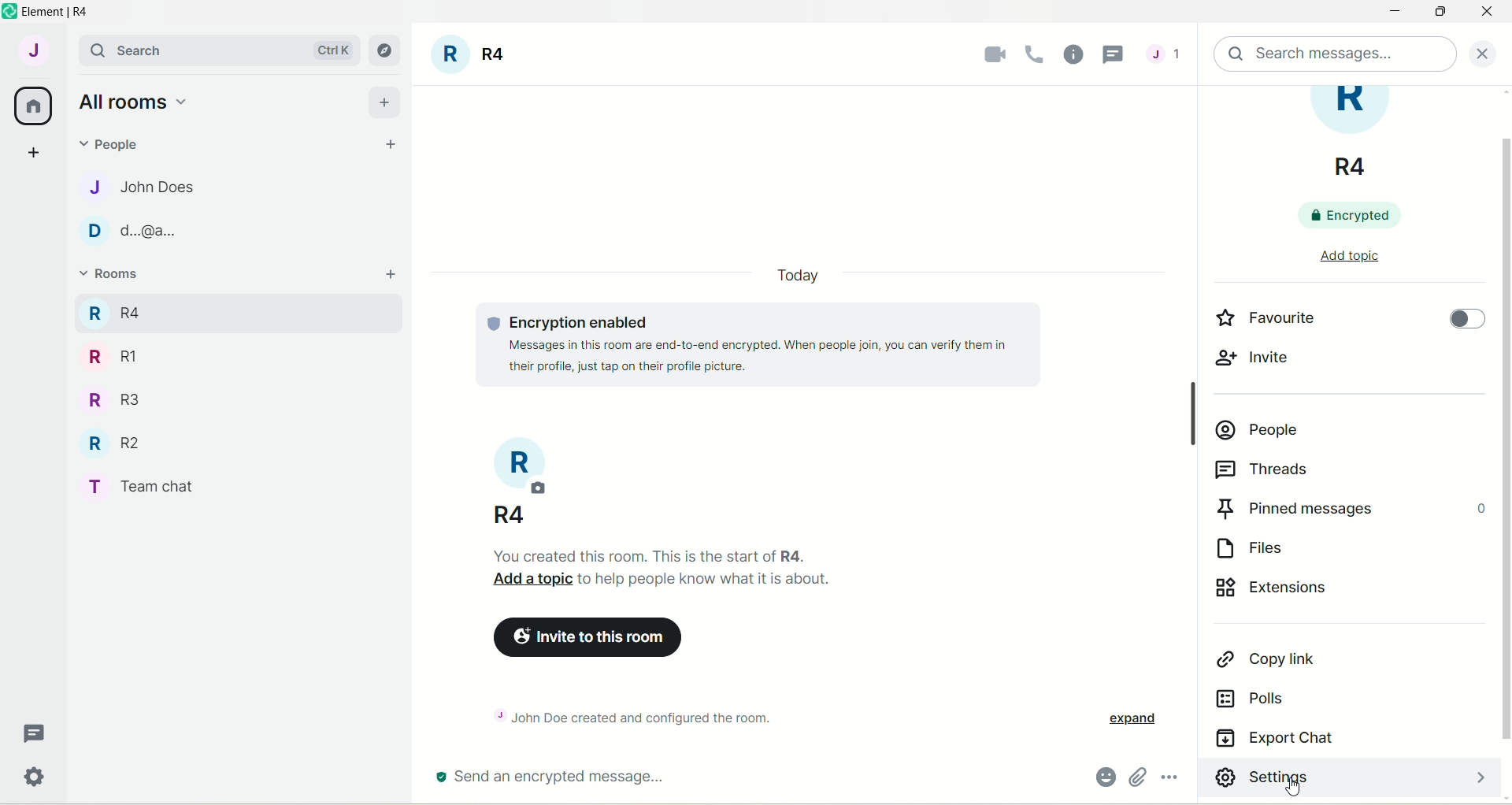 The image size is (1512, 805). I want to click on encrypted, so click(1360, 214).